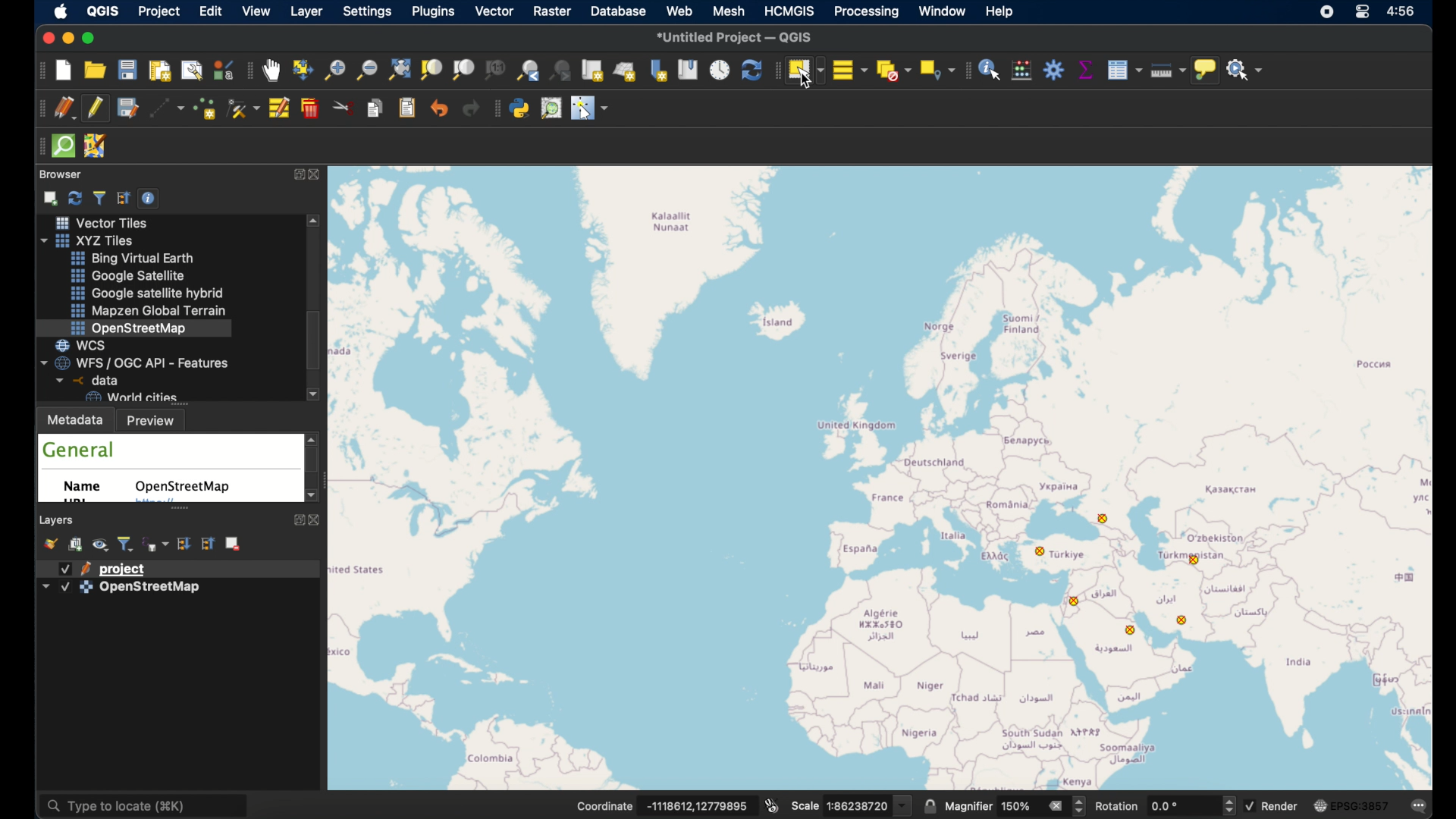 Image resolution: width=1456 pixels, height=819 pixels. I want to click on style manager, so click(224, 69).